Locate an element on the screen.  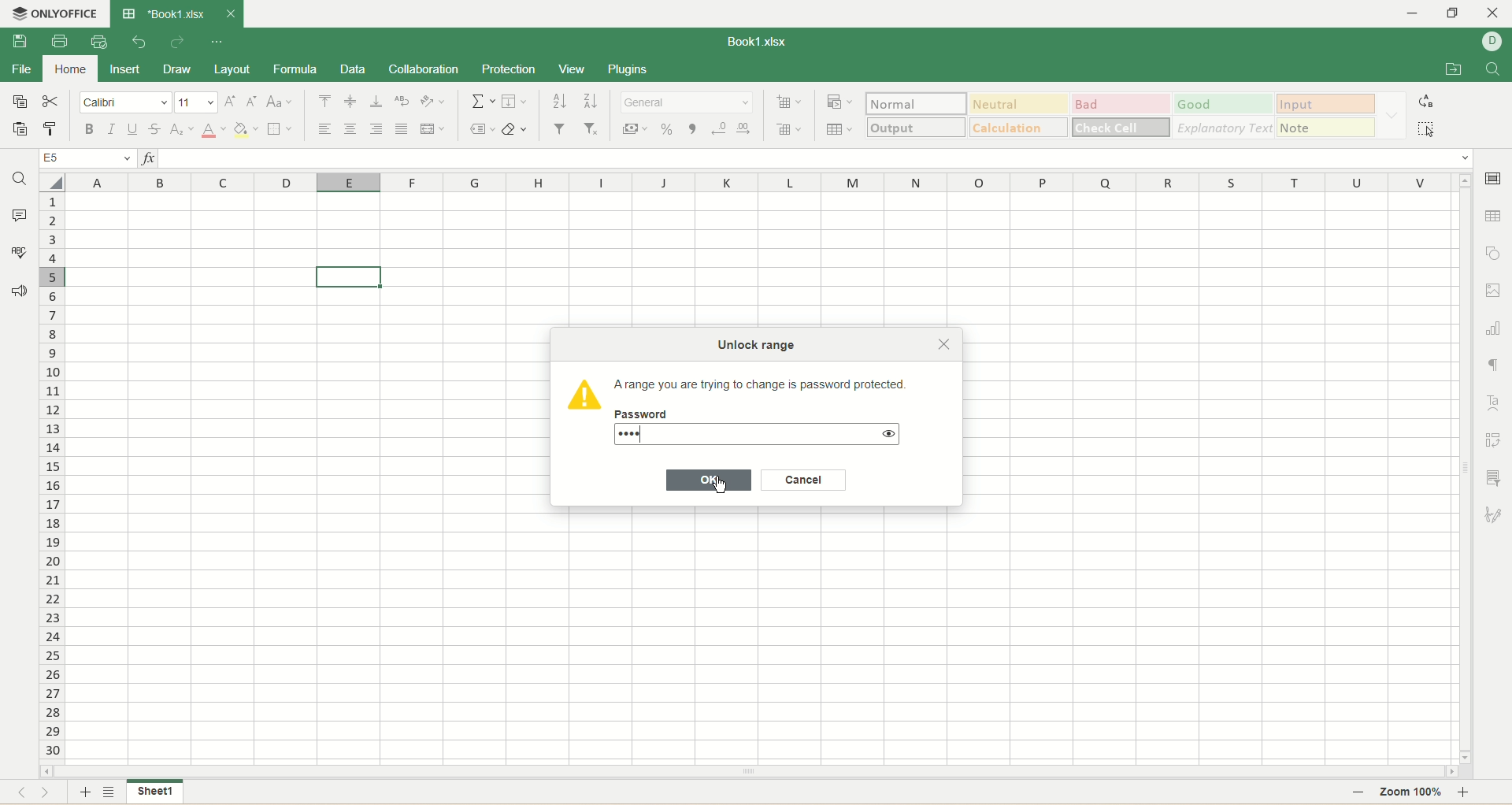
sort descending is located at coordinates (591, 102).